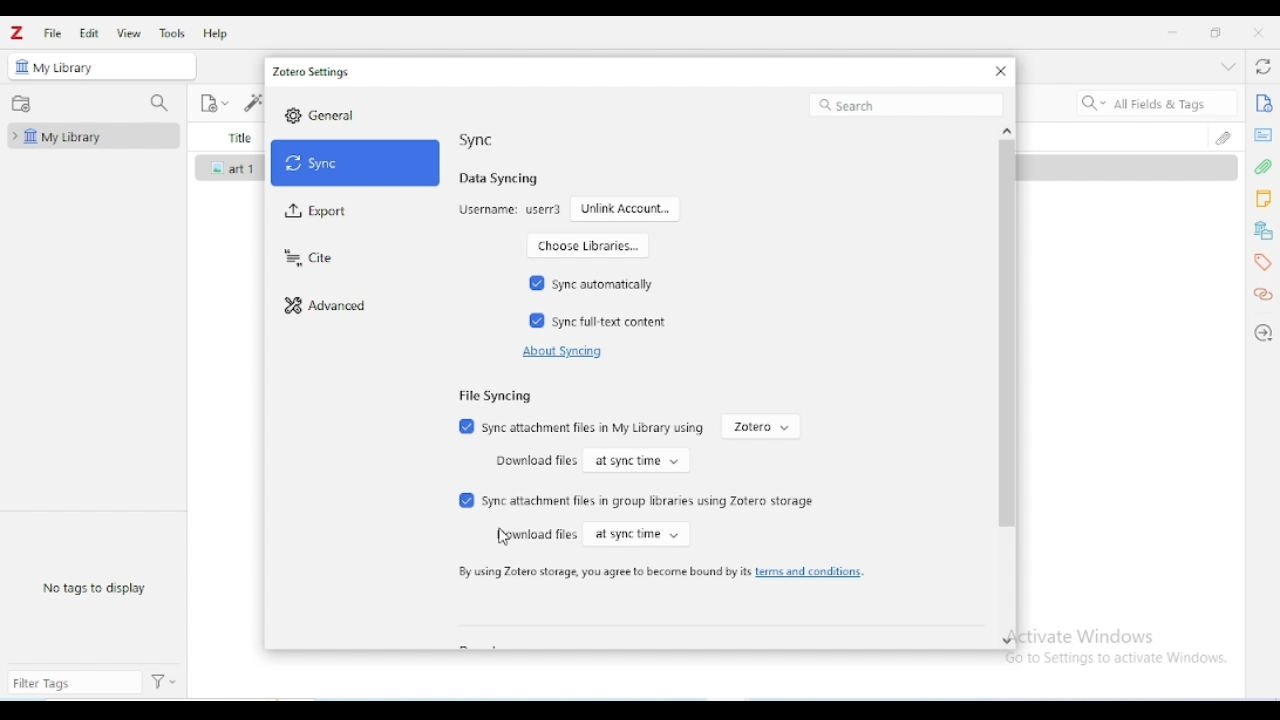 Image resolution: width=1280 pixels, height=720 pixels. What do you see at coordinates (312, 72) in the screenshot?
I see `zotero settings` at bounding box center [312, 72].